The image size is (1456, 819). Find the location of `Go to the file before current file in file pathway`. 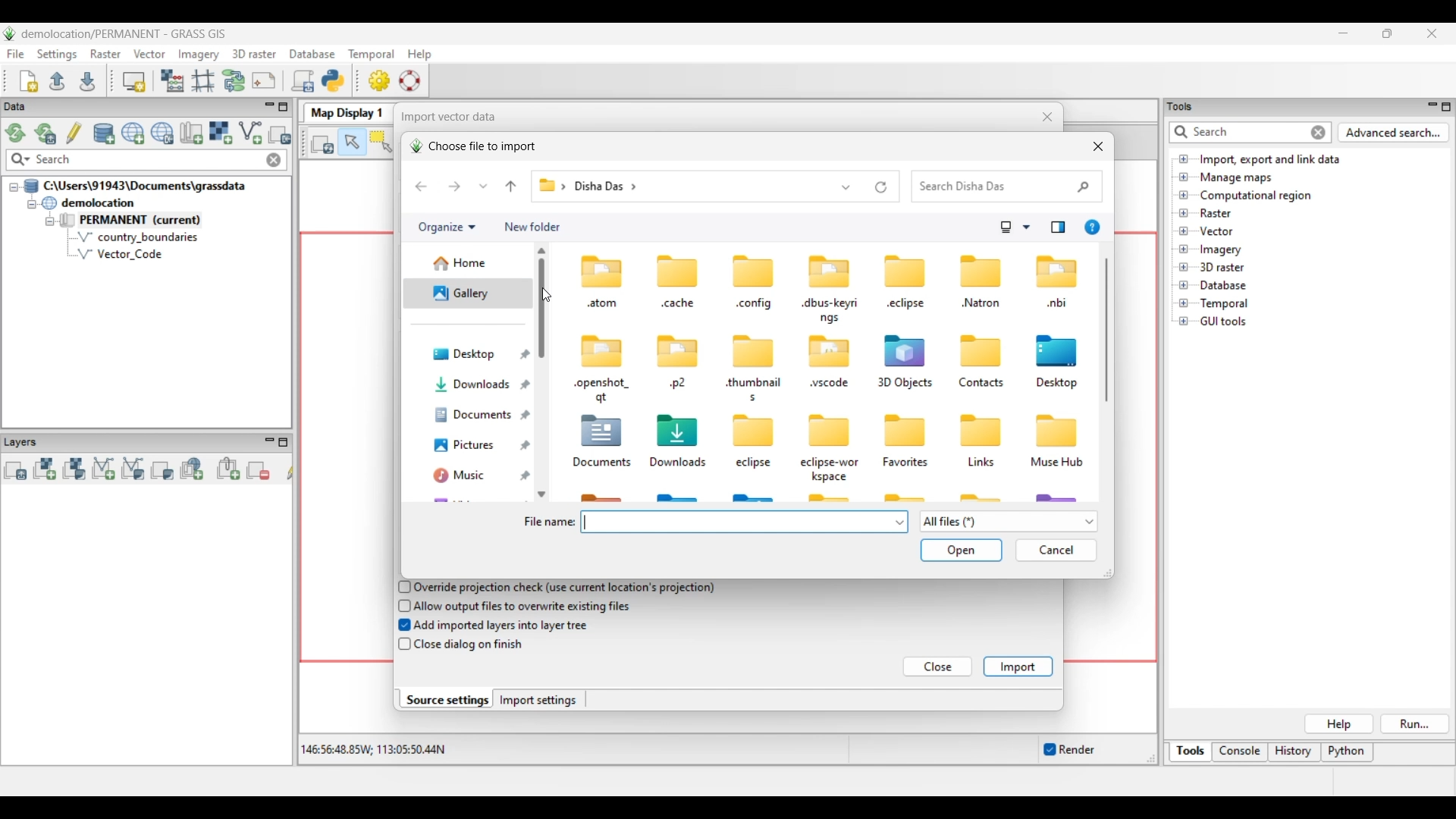

Go to the file before current file in file pathway is located at coordinates (511, 187).